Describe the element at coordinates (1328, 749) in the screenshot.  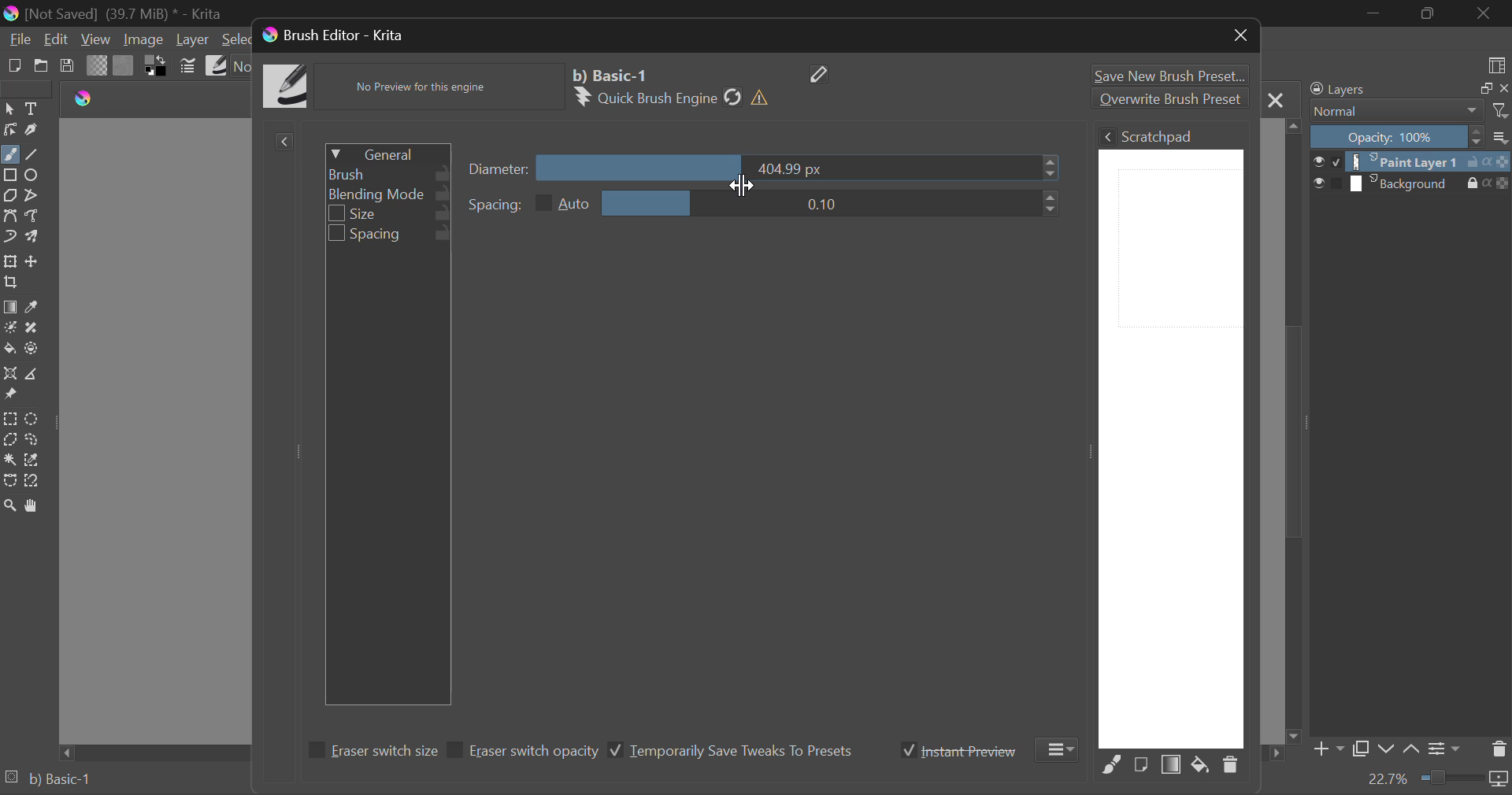
I see `Add Layer` at that location.